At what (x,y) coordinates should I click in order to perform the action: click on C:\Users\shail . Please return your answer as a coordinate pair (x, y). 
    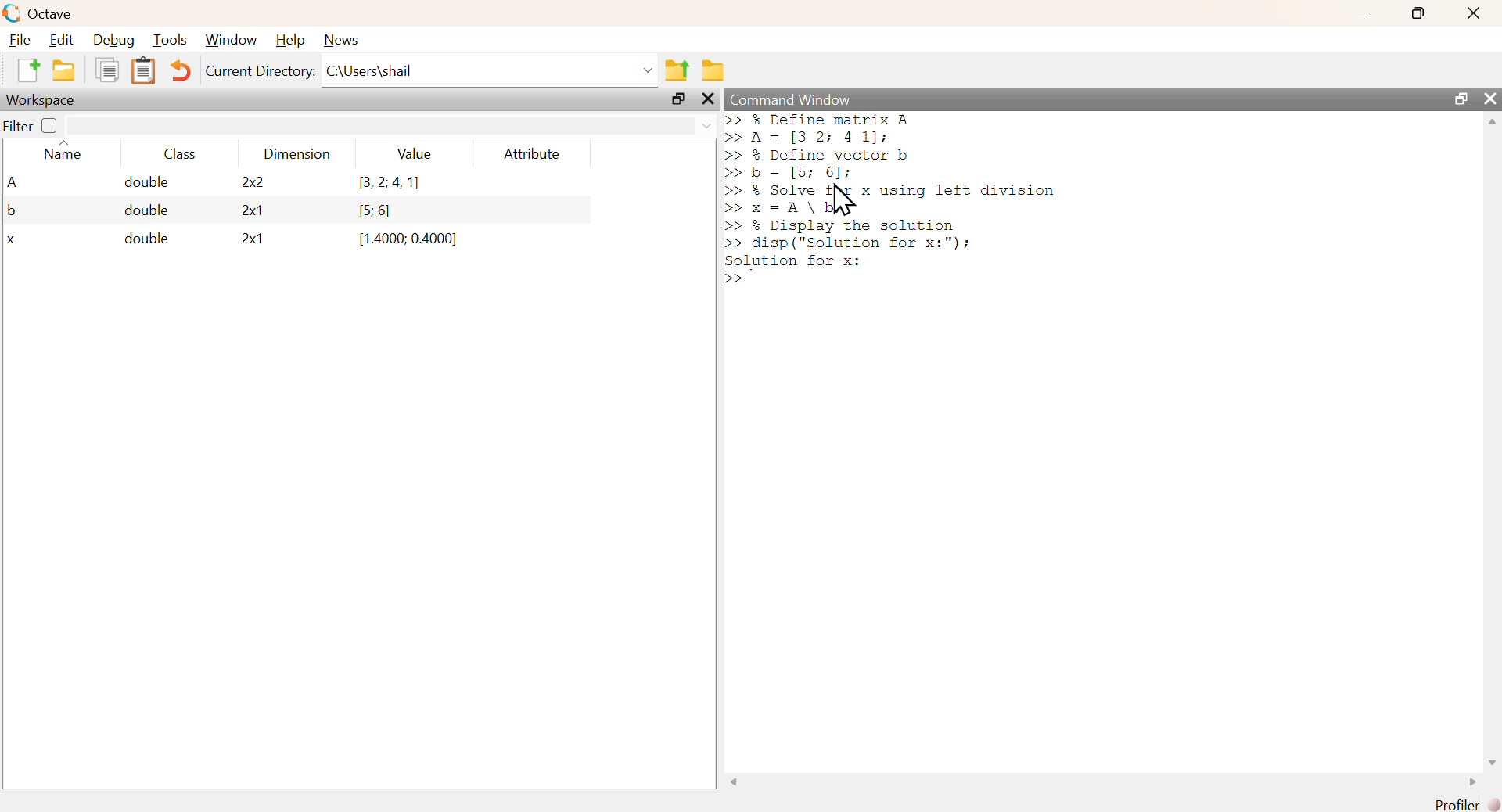
    Looking at the image, I should click on (490, 70).